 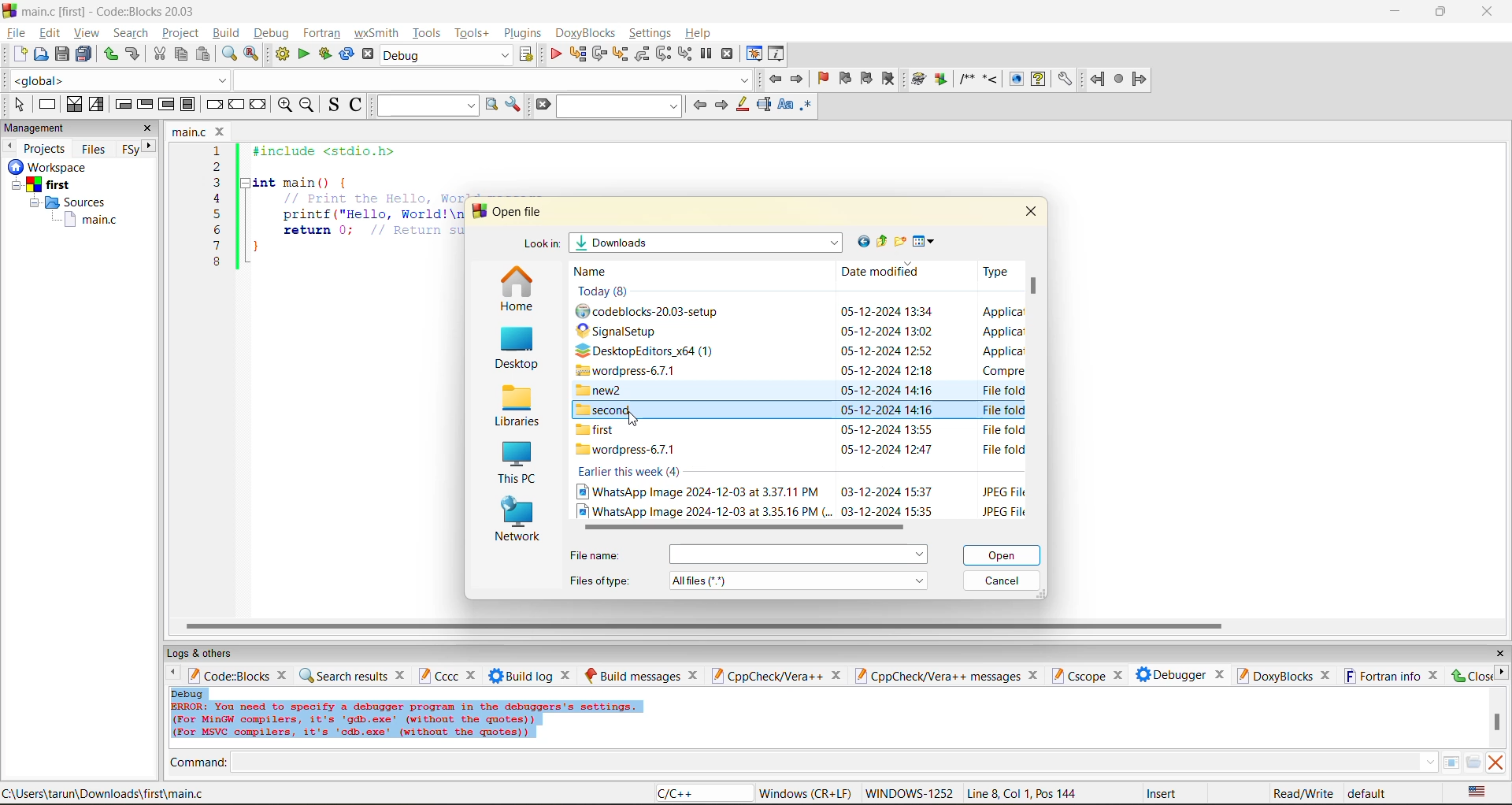 What do you see at coordinates (754, 55) in the screenshot?
I see `debugging windows` at bounding box center [754, 55].